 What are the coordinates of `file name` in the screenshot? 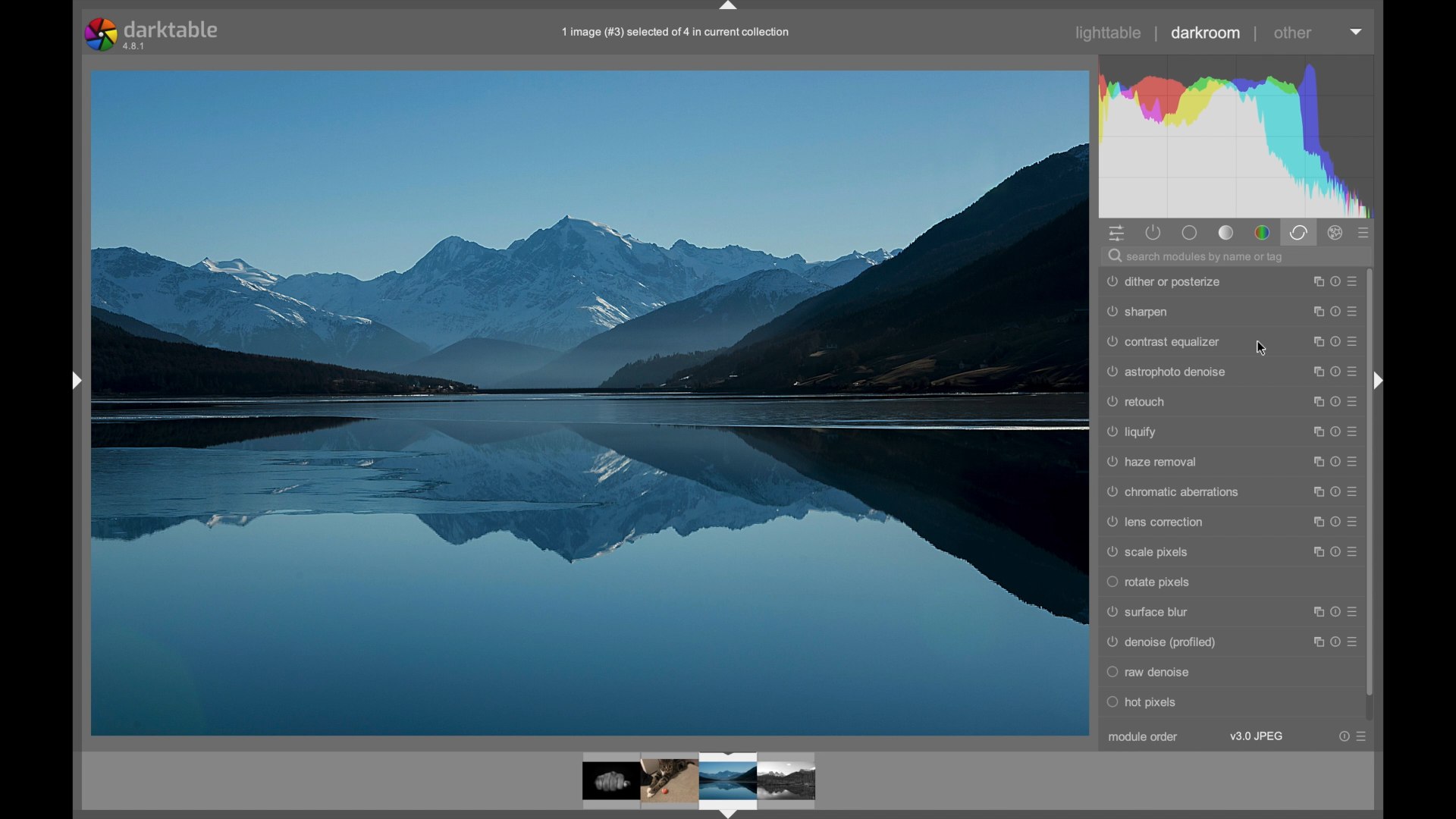 It's located at (673, 33).